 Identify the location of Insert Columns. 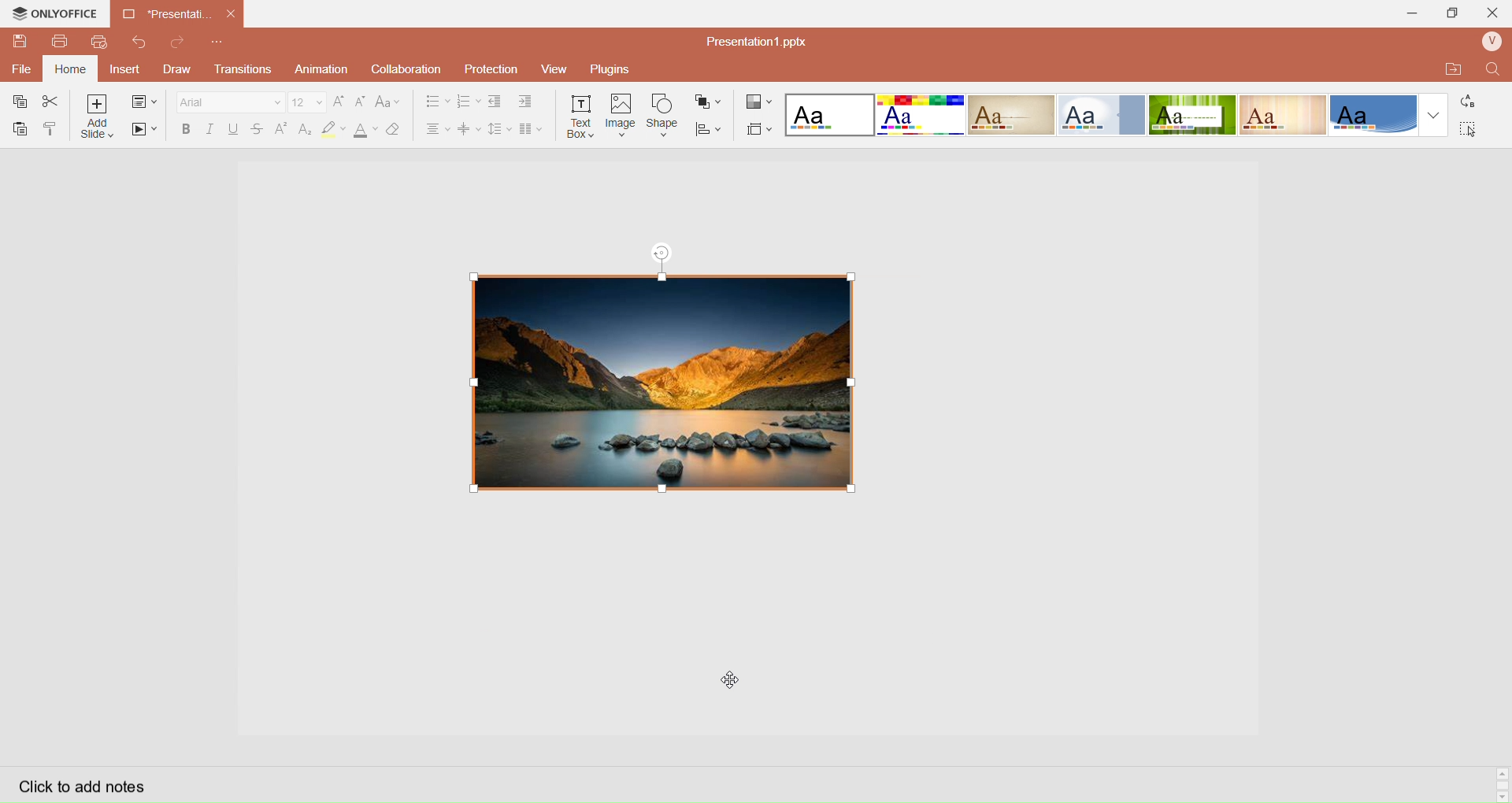
(532, 129).